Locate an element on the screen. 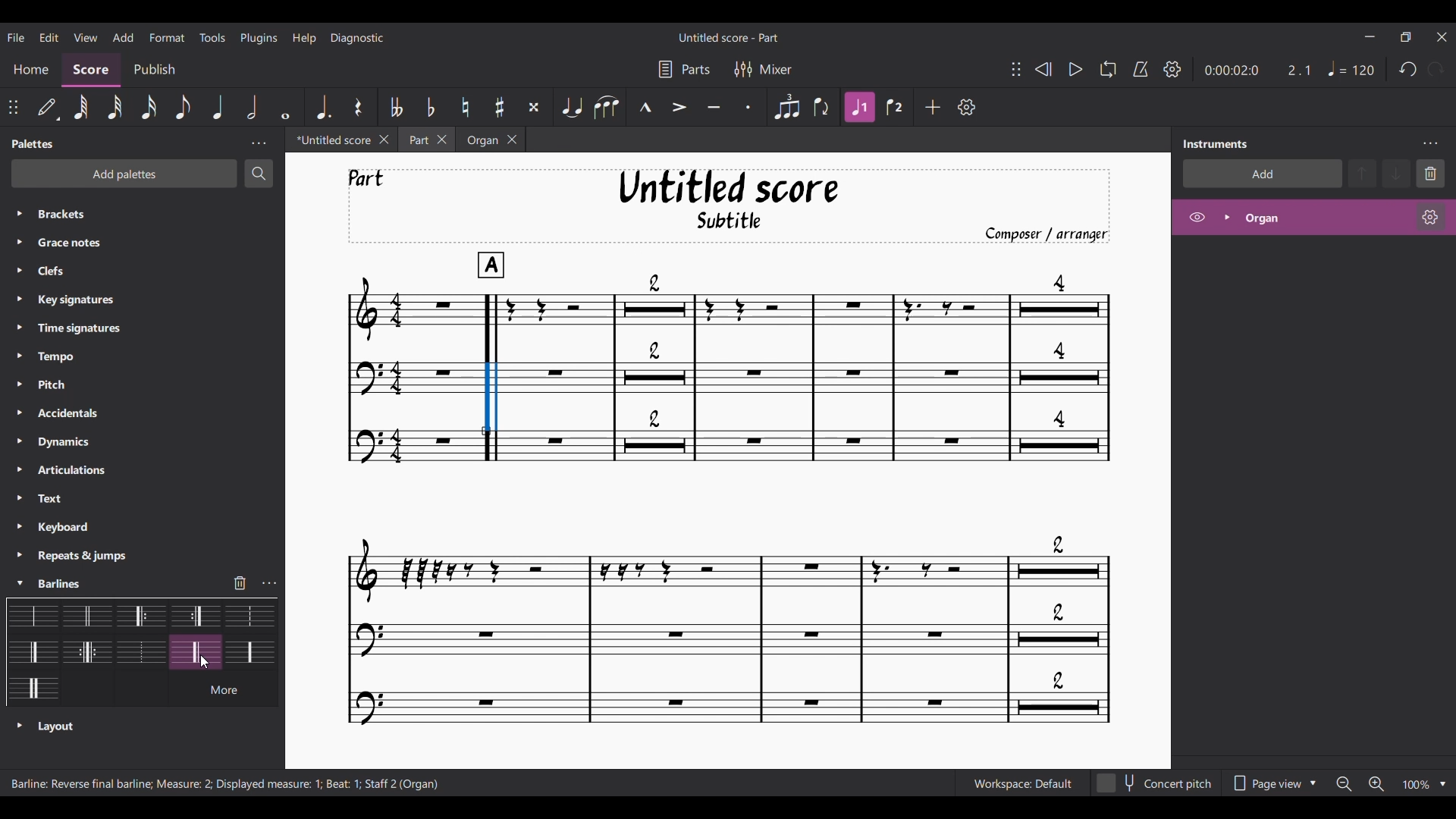 The width and height of the screenshot is (1456, 819). Staccato is located at coordinates (748, 106).